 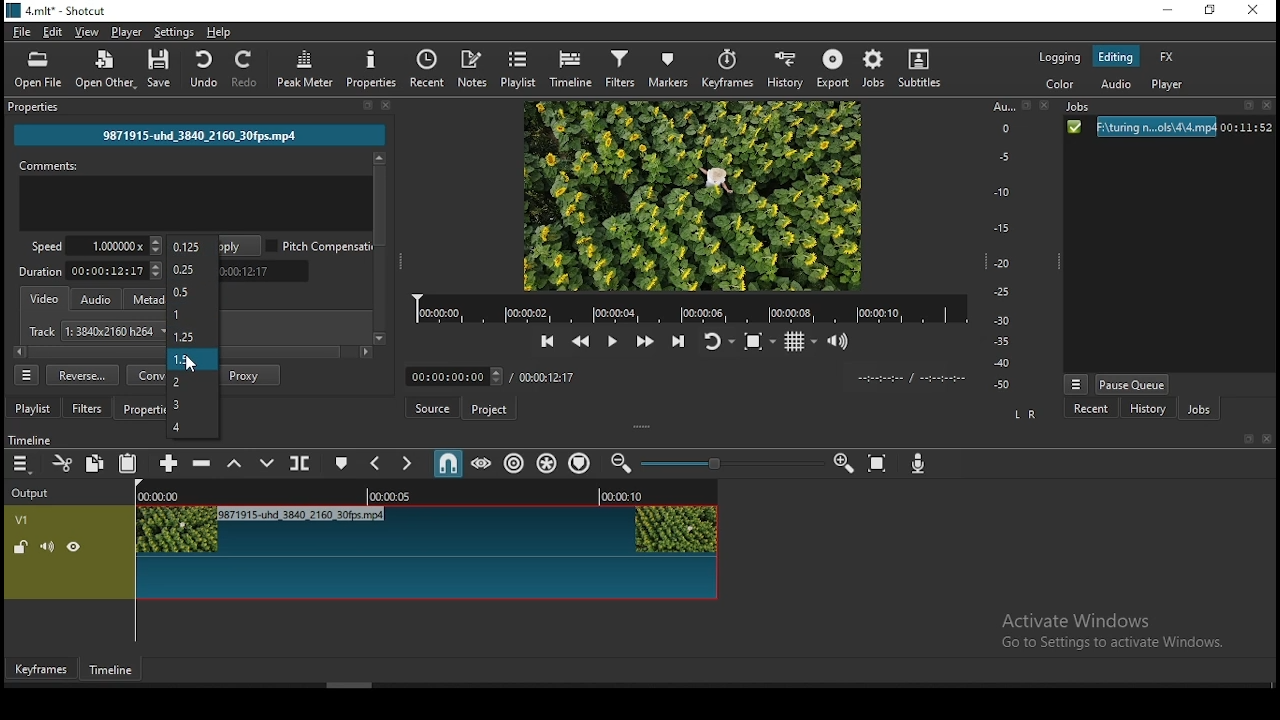 What do you see at coordinates (445, 465) in the screenshot?
I see `snap` at bounding box center [445, 465].